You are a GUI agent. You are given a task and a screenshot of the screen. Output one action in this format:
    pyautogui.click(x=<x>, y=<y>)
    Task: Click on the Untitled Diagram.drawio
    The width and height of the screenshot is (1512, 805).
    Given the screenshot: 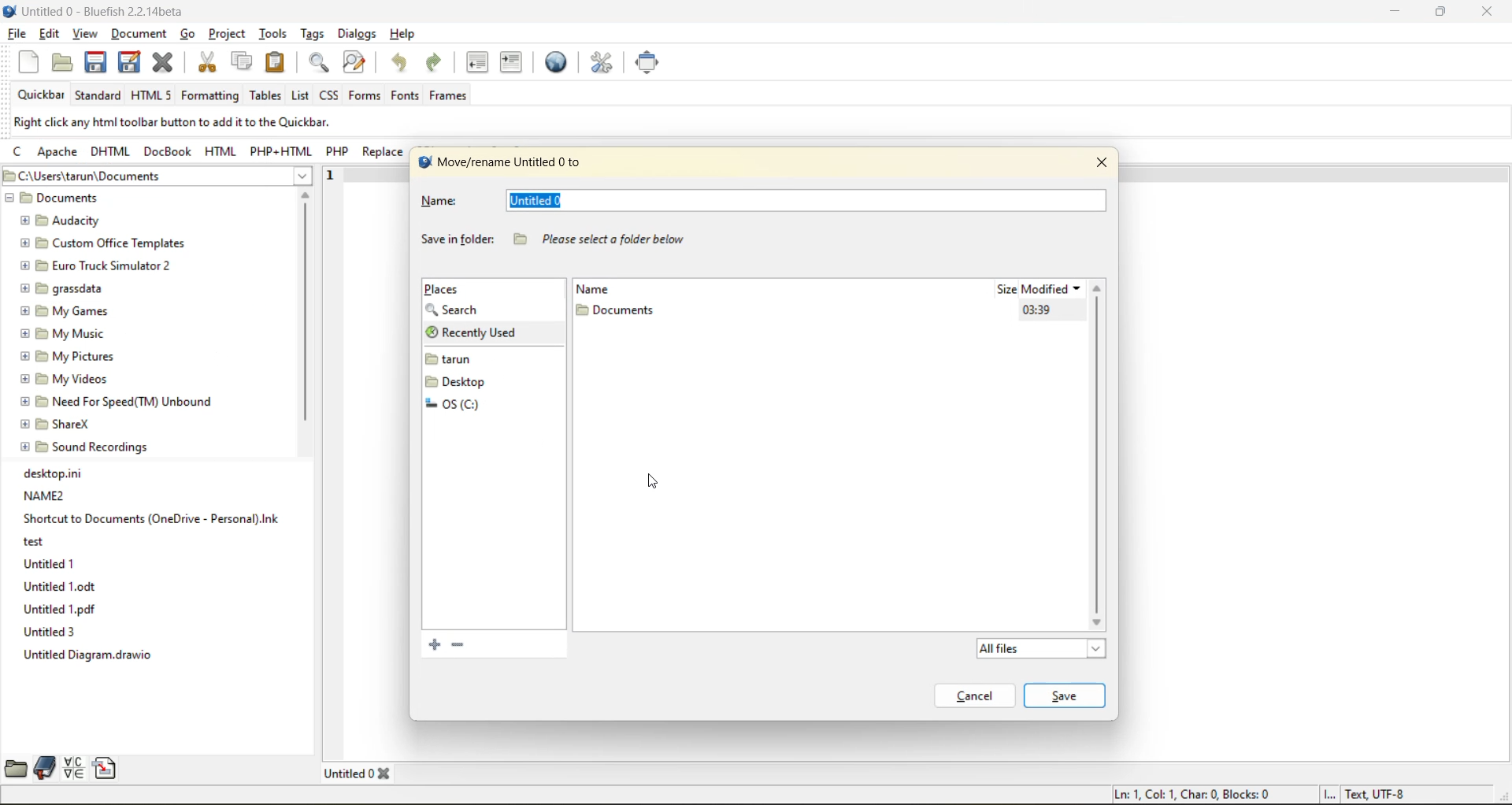 What is the action you would take?
    pyautogui.click(x=91, y=655)
    